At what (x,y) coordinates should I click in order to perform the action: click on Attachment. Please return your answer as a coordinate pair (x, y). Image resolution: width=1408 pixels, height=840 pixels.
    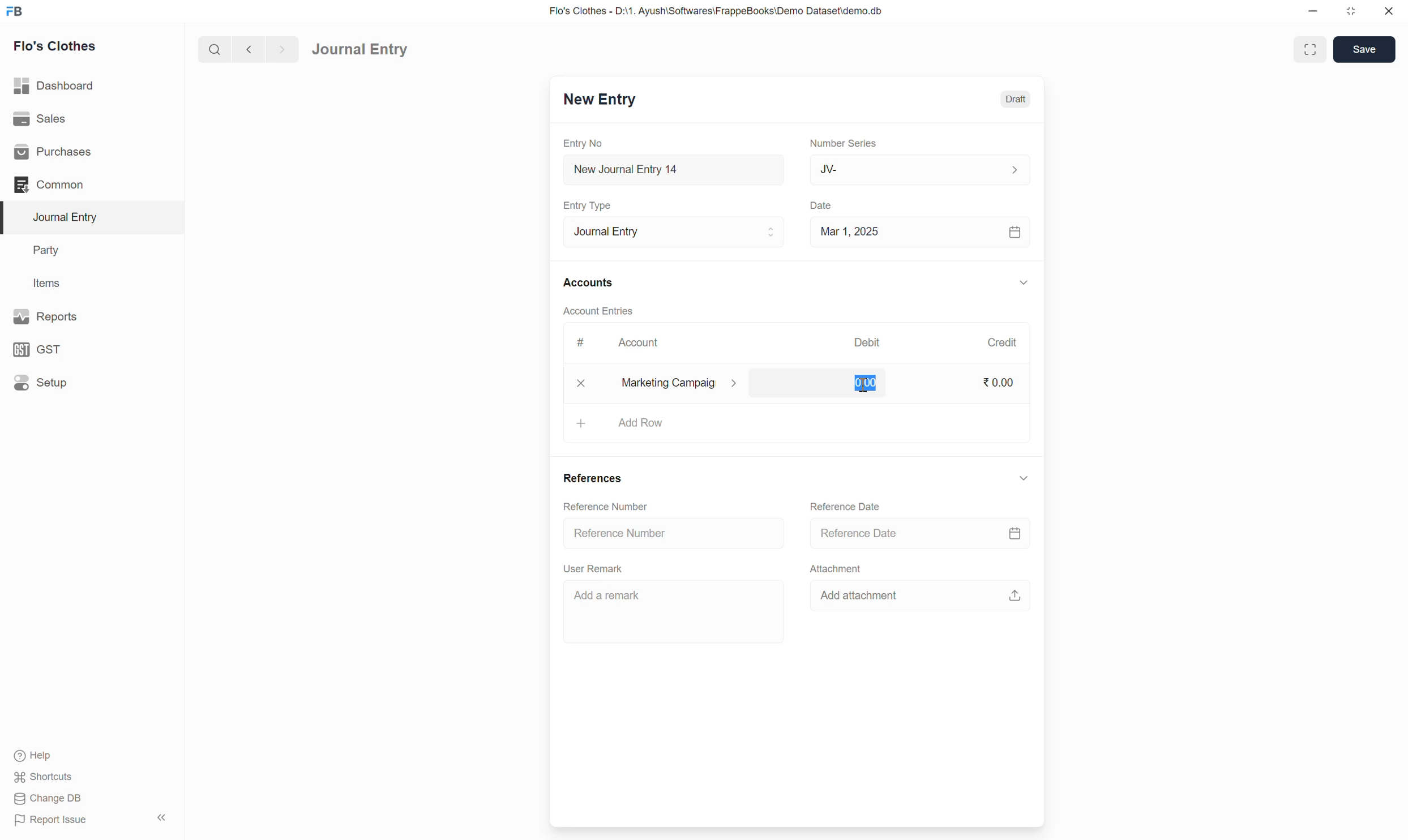
    Looking at the image, I should click on (837, 568).